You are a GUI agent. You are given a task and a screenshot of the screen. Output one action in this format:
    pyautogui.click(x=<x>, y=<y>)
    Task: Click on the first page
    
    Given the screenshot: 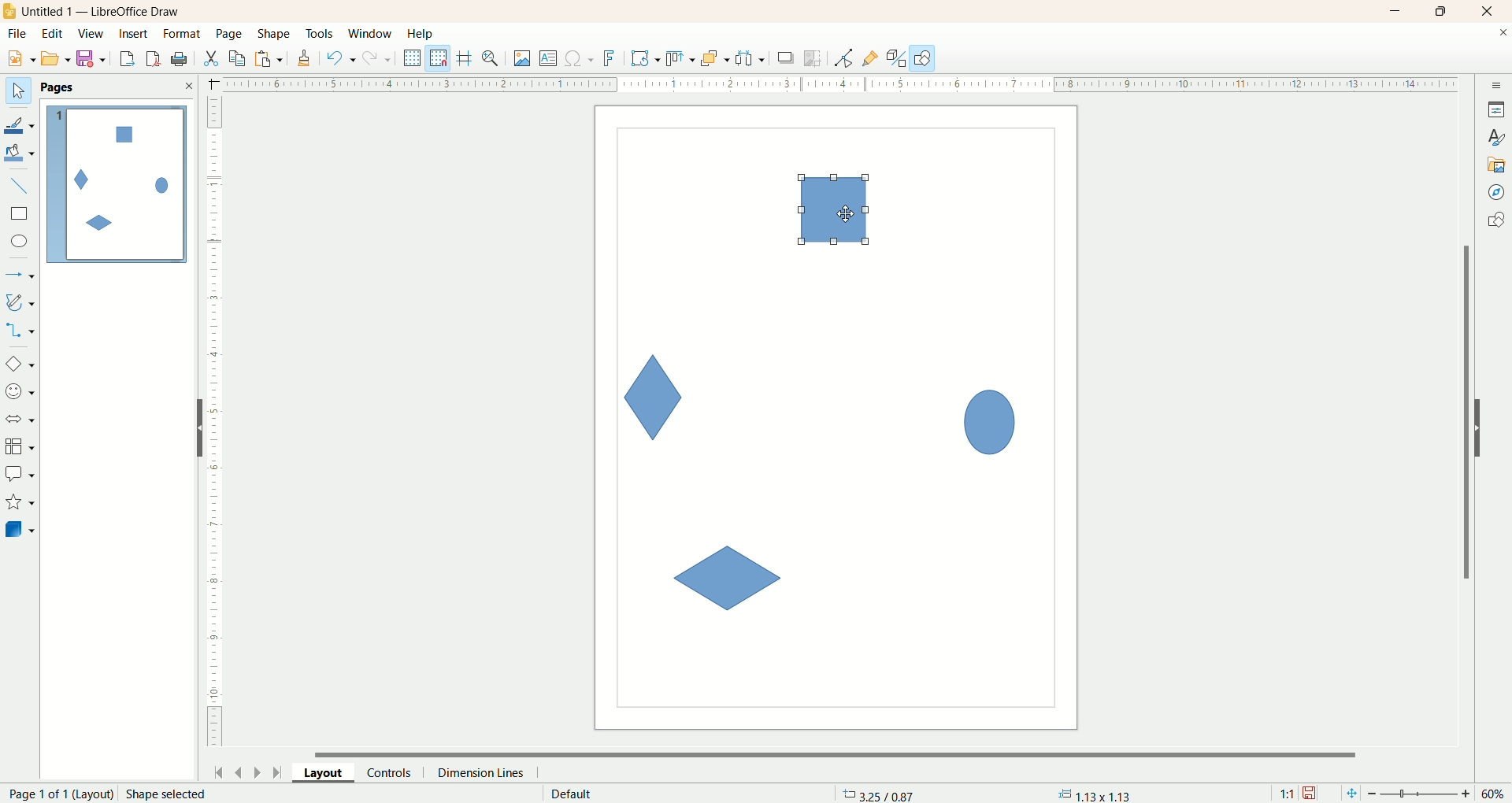 What is the action you would take?
    pyautogui.click(x=216, y=770)
    